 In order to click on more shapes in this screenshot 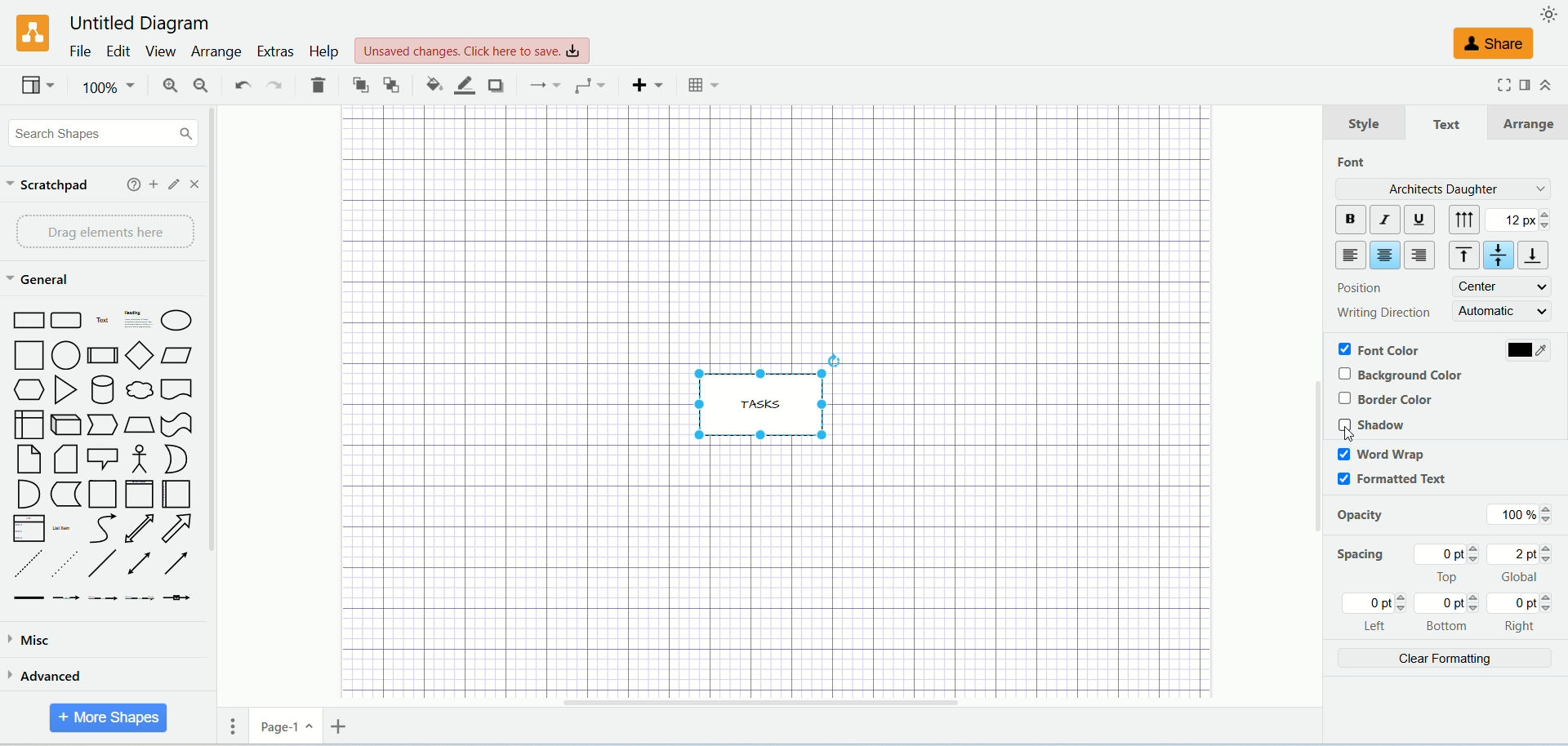, I will do `click(109, 718)`.